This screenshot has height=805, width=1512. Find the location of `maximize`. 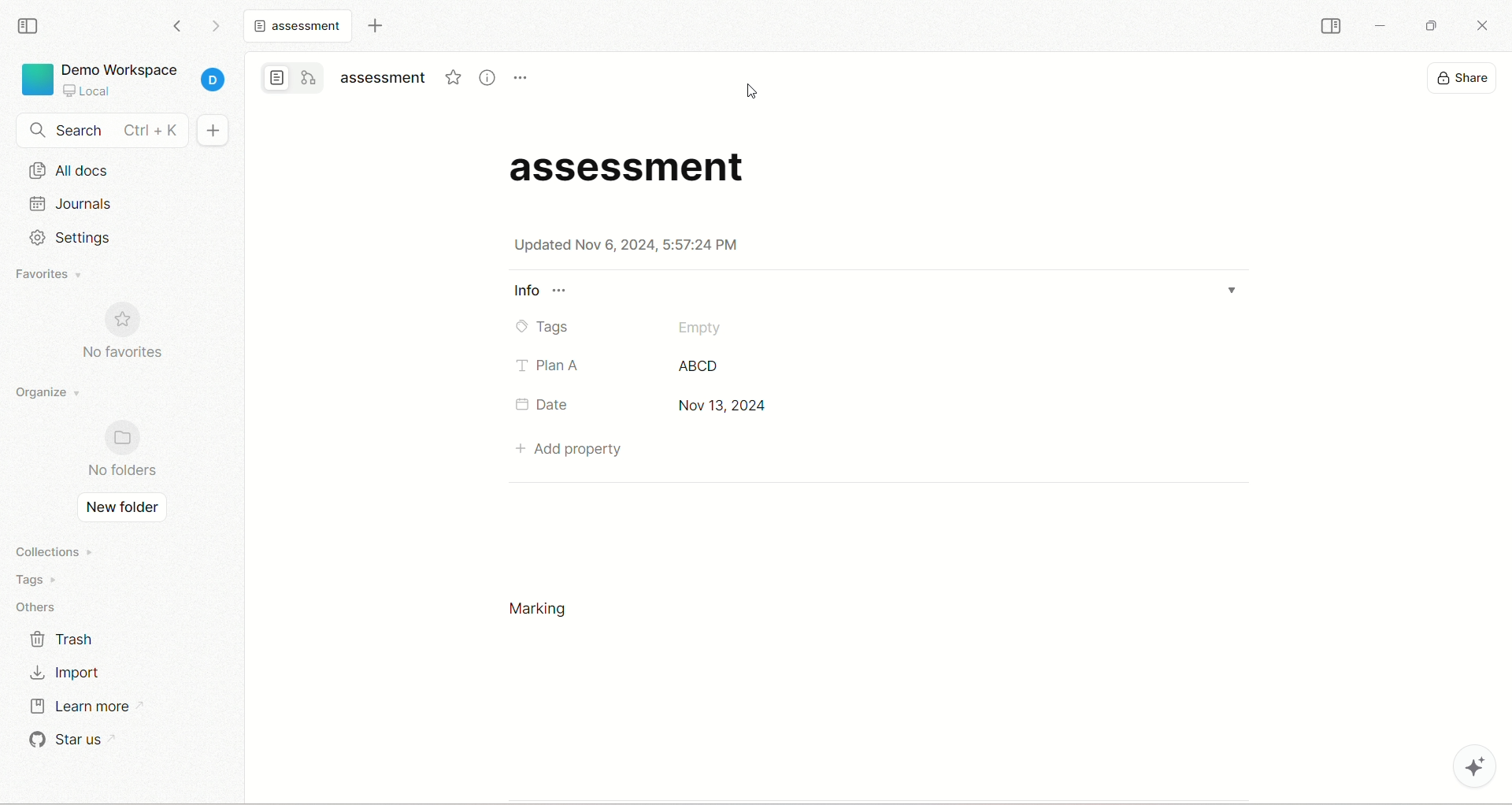

maximize is located at coordinates (1429, 26).